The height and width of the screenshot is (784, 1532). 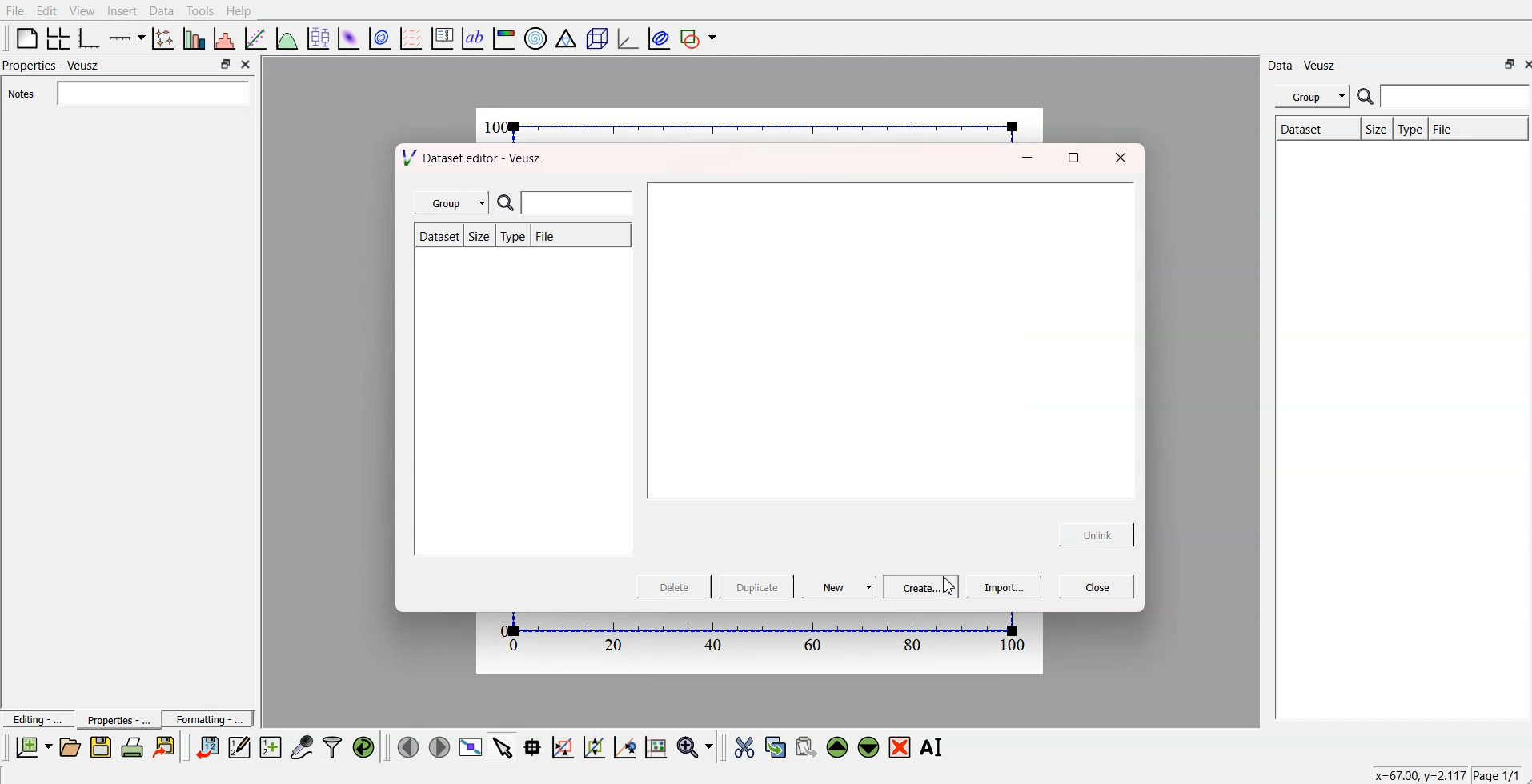 What do you see at coordinates (201, 11) in the screenshot?
I see `Tools` at bounding box center [201, 11].